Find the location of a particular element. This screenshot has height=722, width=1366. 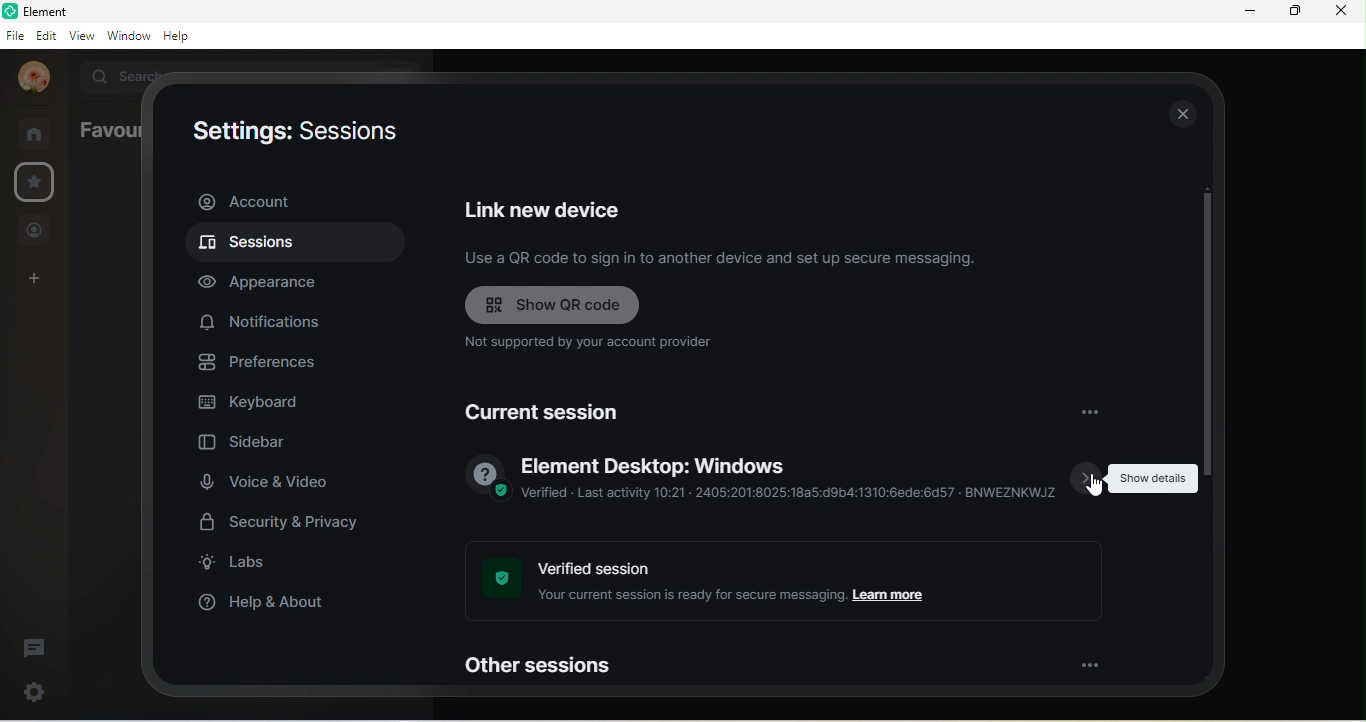

close is located at coordinates (1339, 11).